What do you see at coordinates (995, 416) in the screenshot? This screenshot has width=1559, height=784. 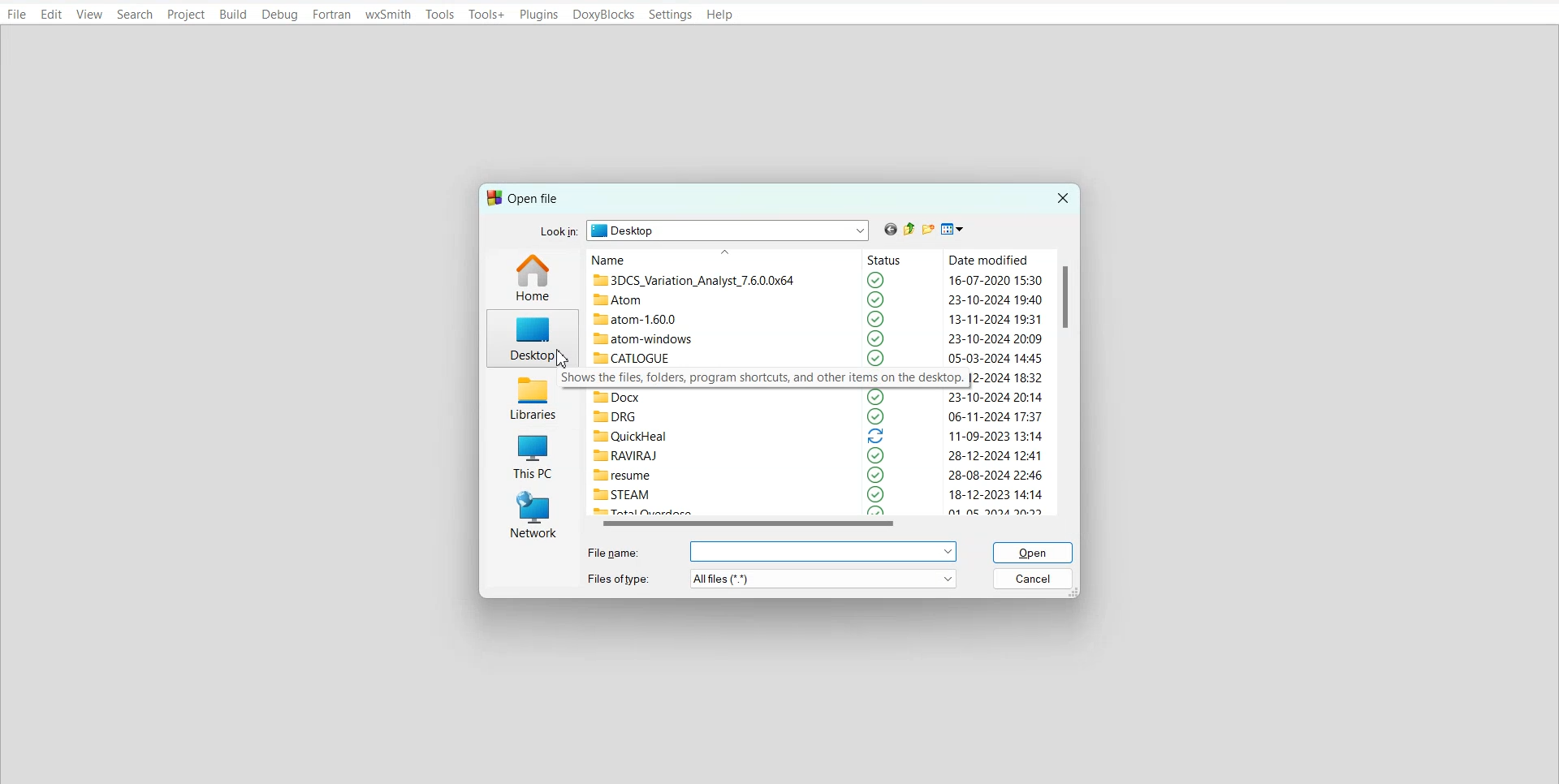 I see `06-11-2024 17:37` at bounding box center [995, 416].